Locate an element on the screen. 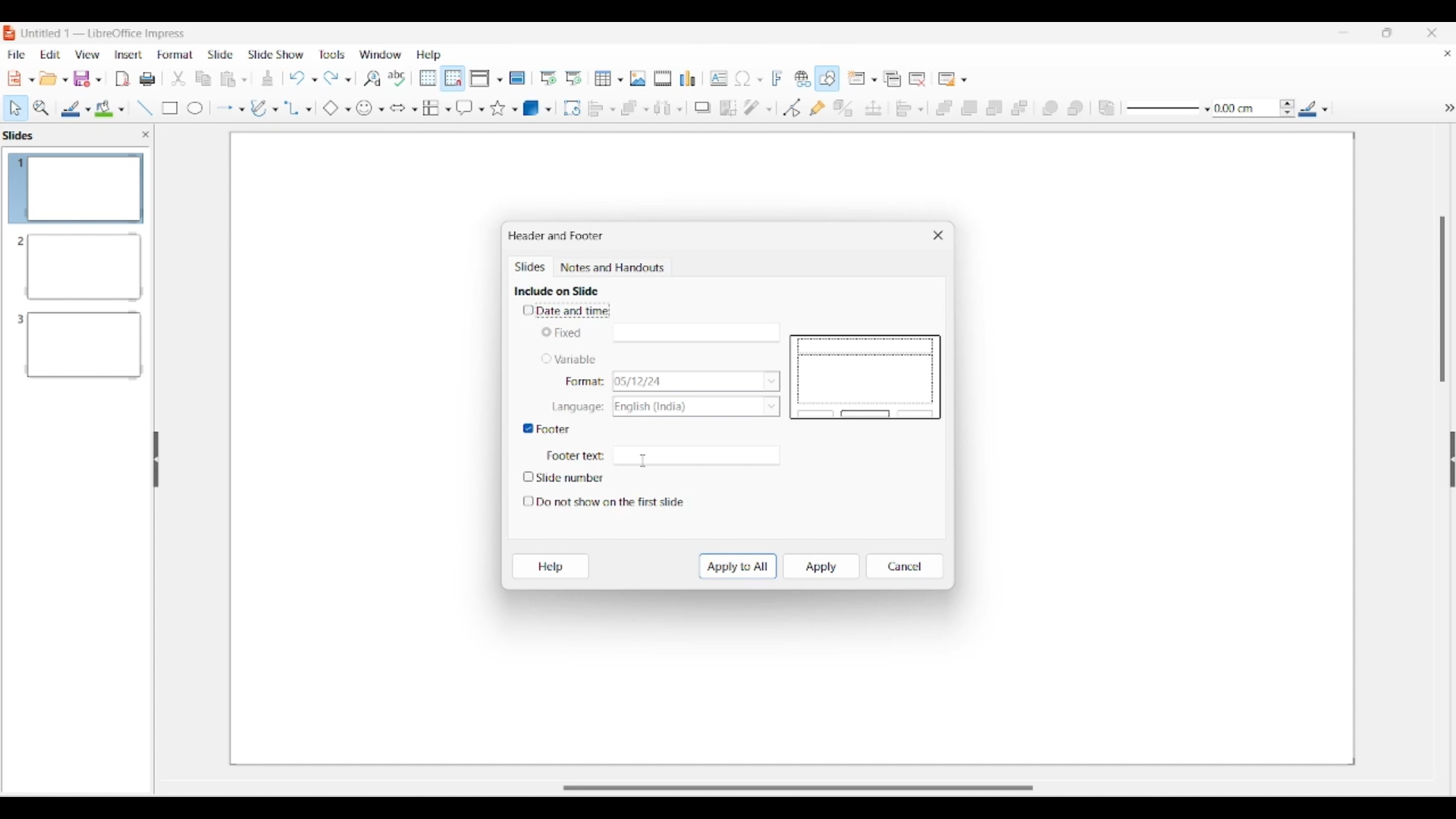  Notes and handouts tab is located at coordinates (614, 268).